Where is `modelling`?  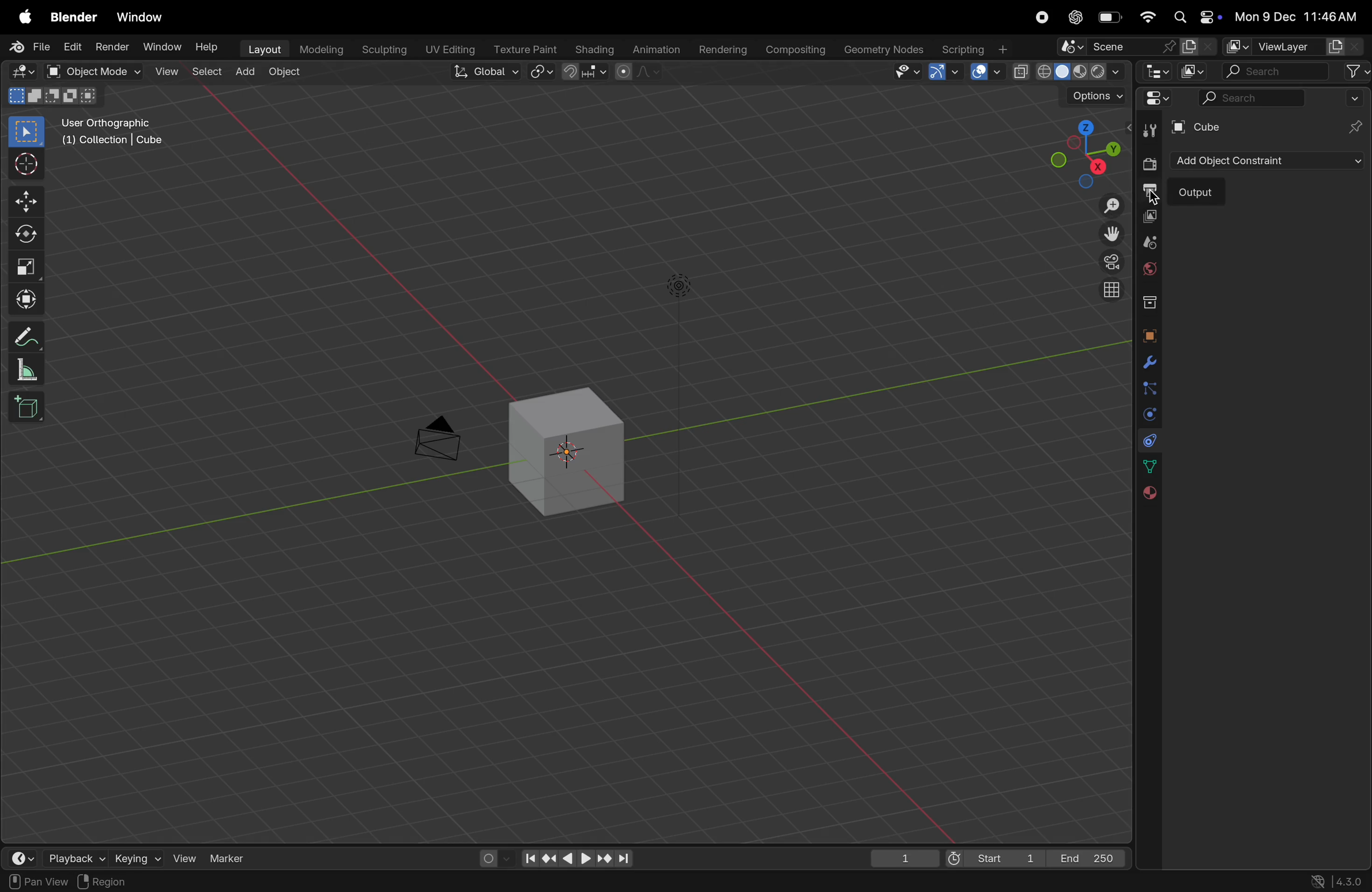 modelling is located at coordinates (319, 48).